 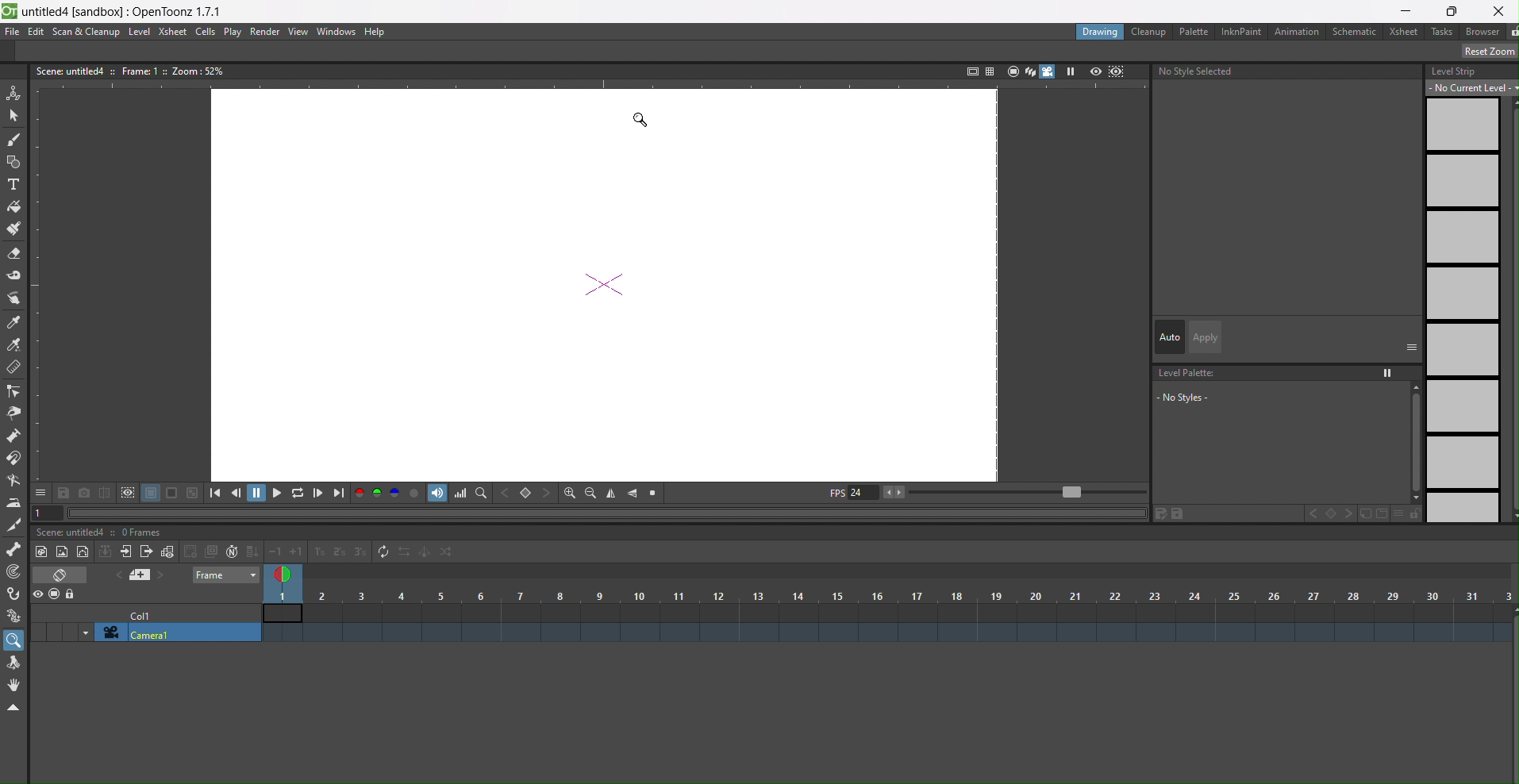 What do you see at coordinates (14, 322) in the screenshot?
I see `` at bounding box center [14, 322].